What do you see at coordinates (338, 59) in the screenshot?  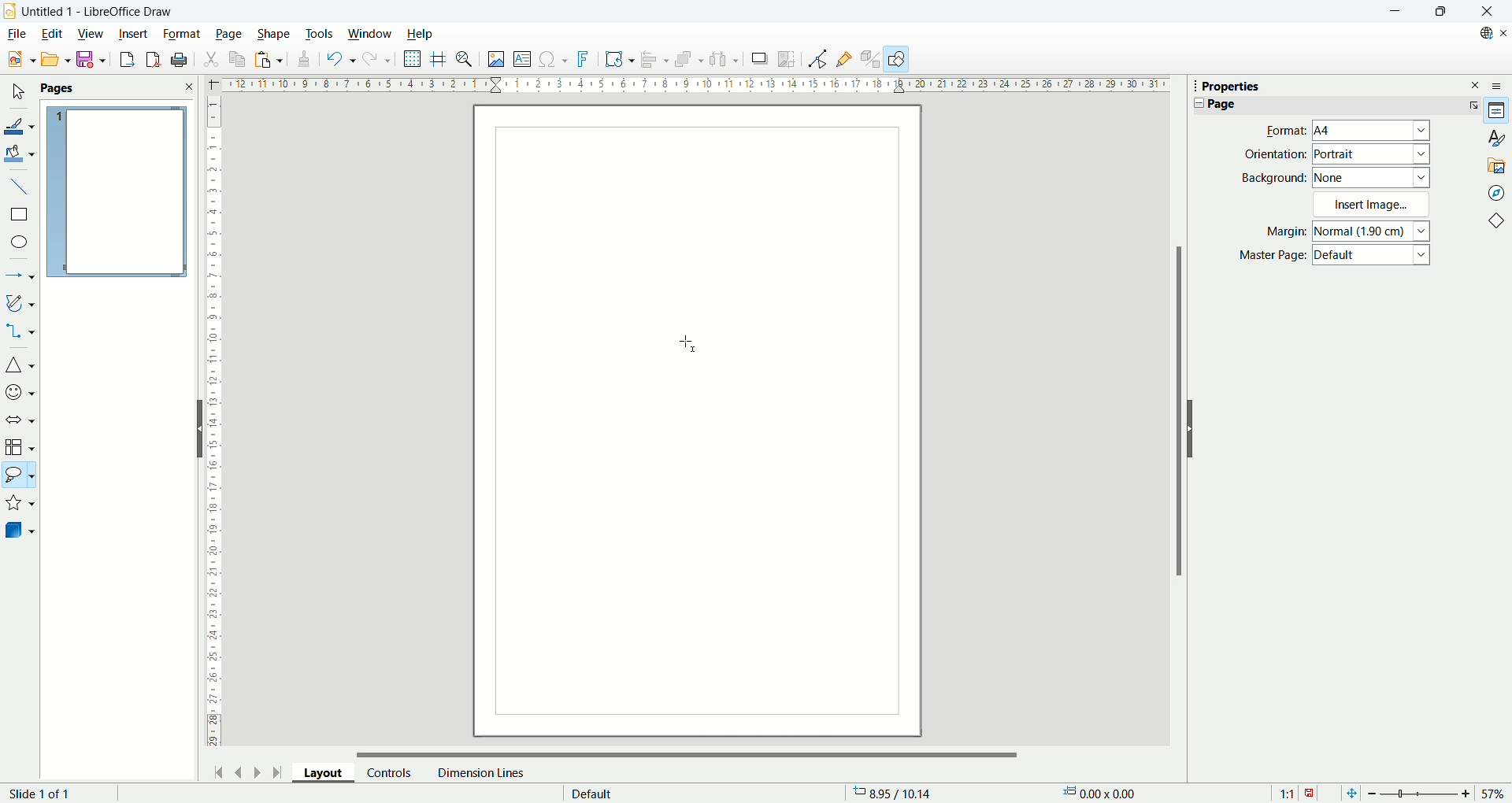 I see `undo` at bounding box center [338, 59].